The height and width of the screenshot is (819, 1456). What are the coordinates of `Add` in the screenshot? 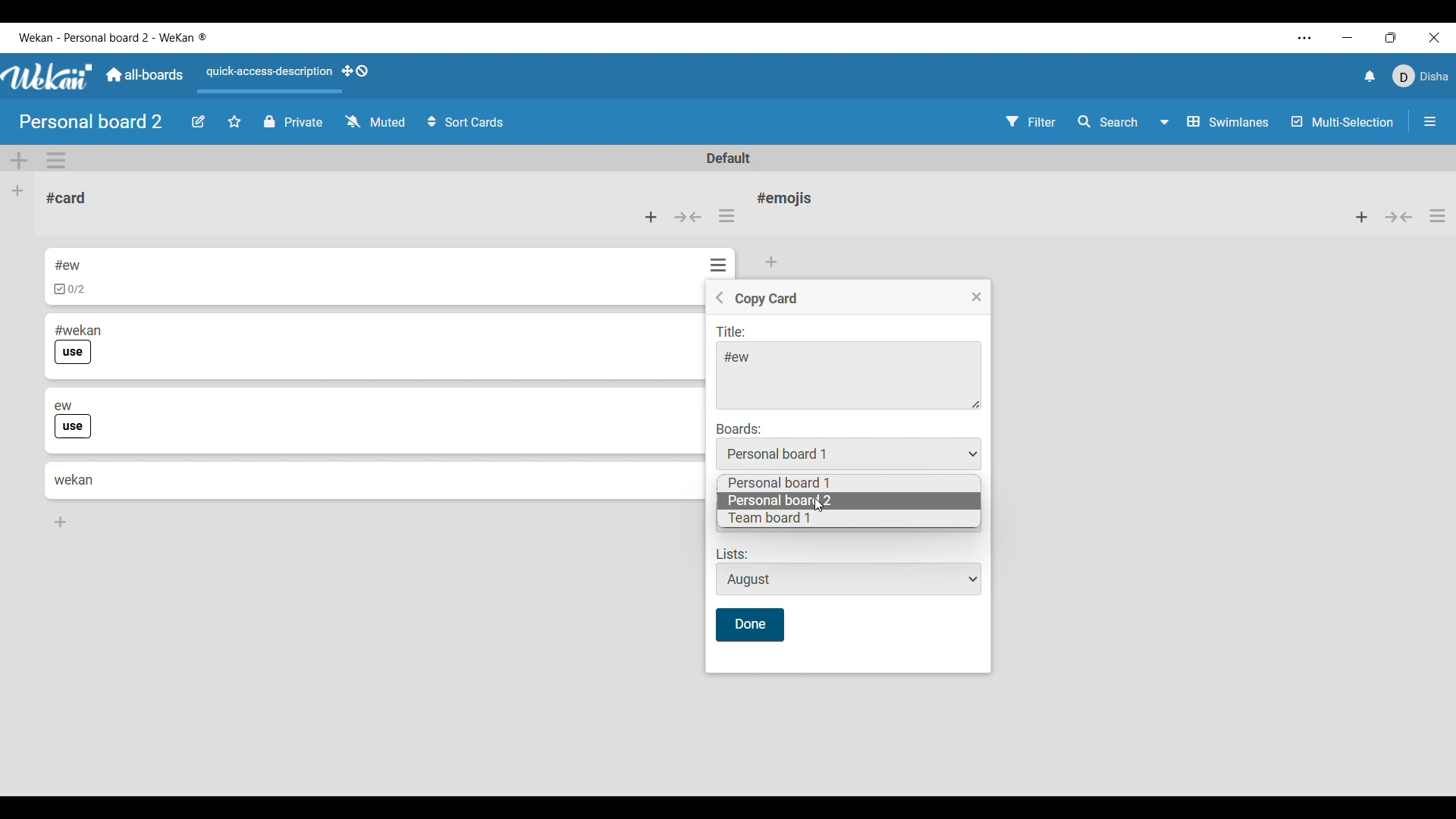 It's located at (770, 257).